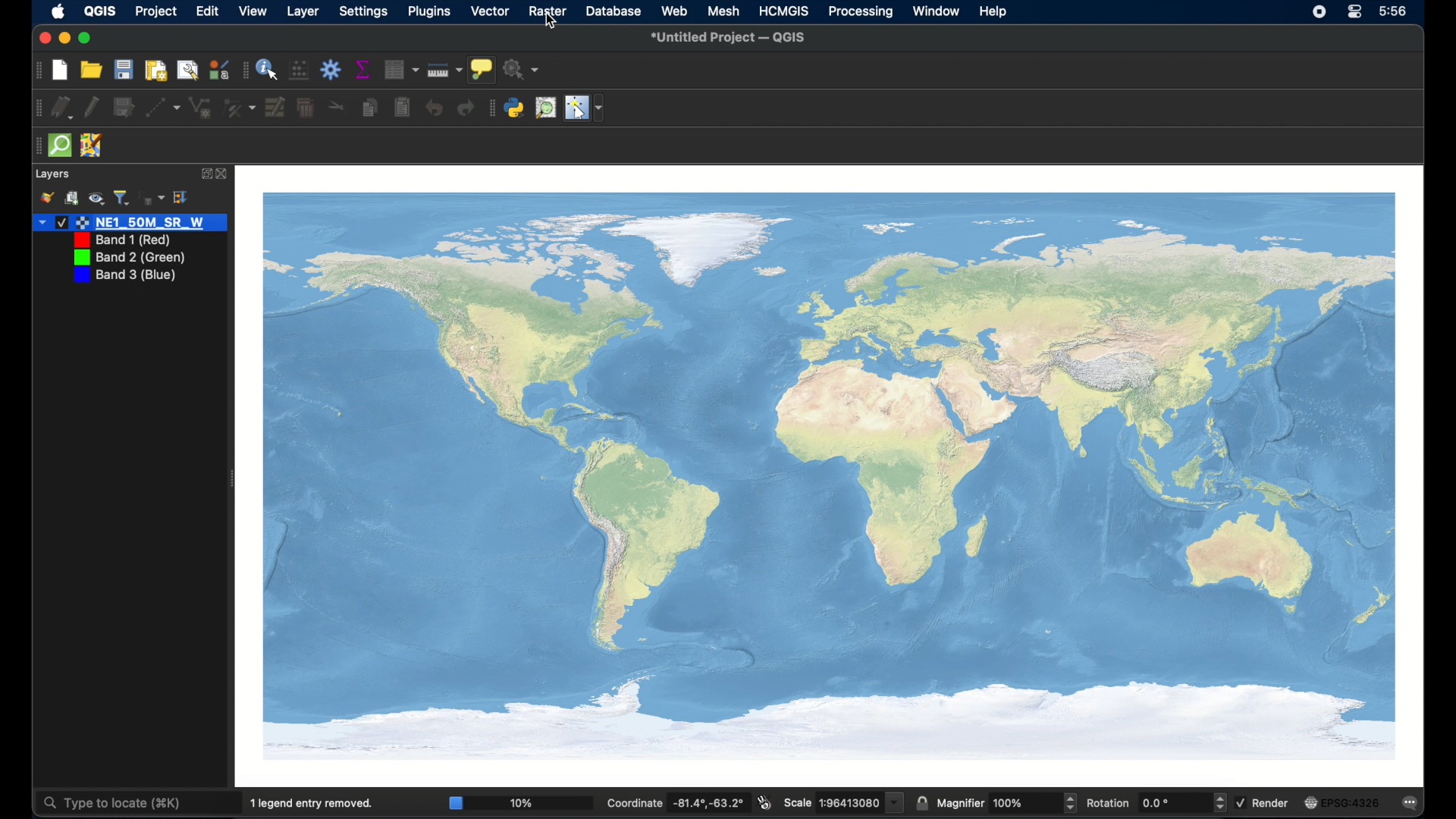 The image size is (1456, 819). What do you see at coordinates (130, 223) in the screenshot?
I see `layer1` at bounding box center [130, 223].